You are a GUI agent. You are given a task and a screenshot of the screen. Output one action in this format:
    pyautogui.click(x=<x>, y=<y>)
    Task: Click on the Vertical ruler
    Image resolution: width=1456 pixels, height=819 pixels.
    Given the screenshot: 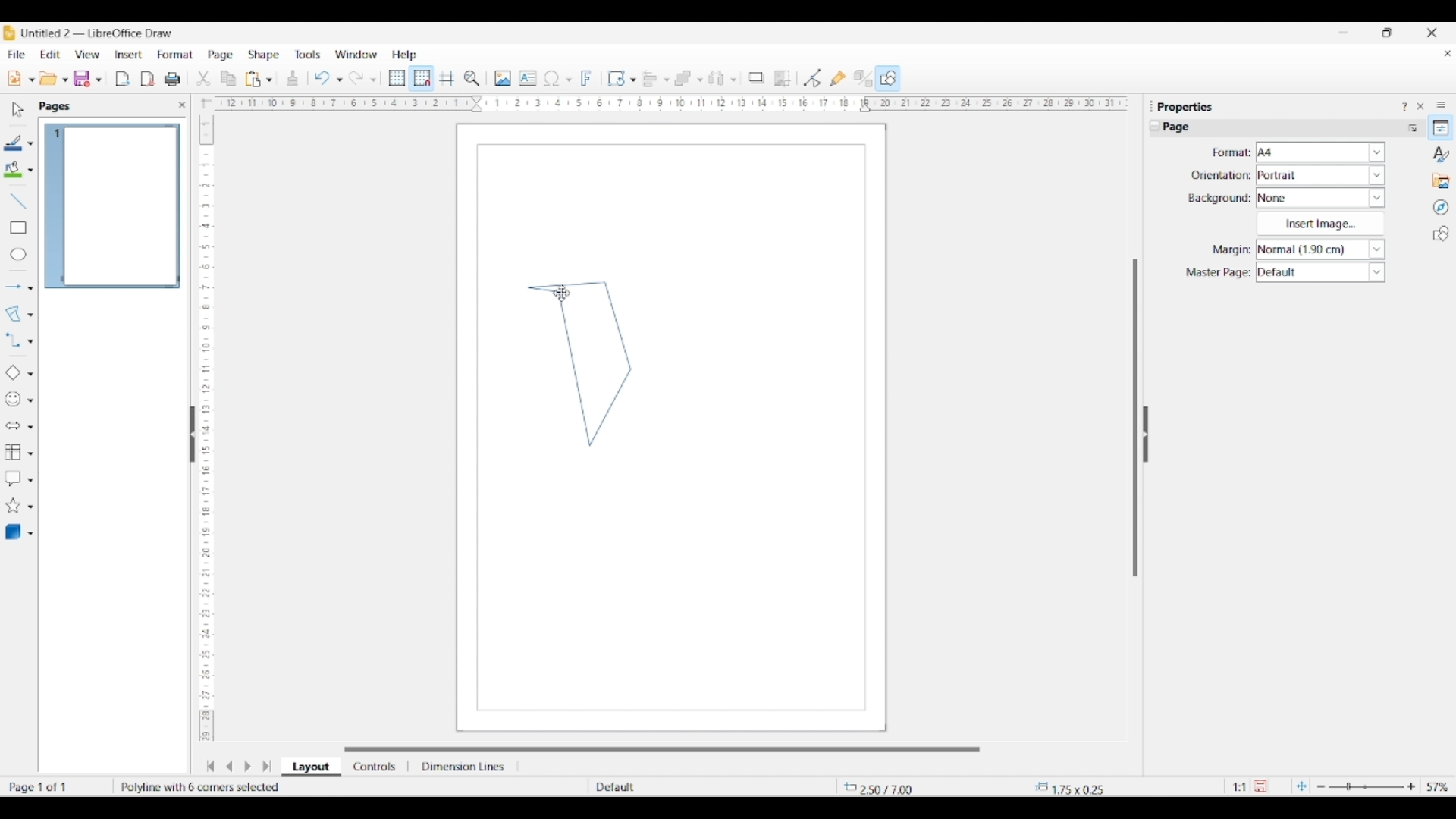 What is the action you would take?
    pyautogui.click(x=204, y=421)
    